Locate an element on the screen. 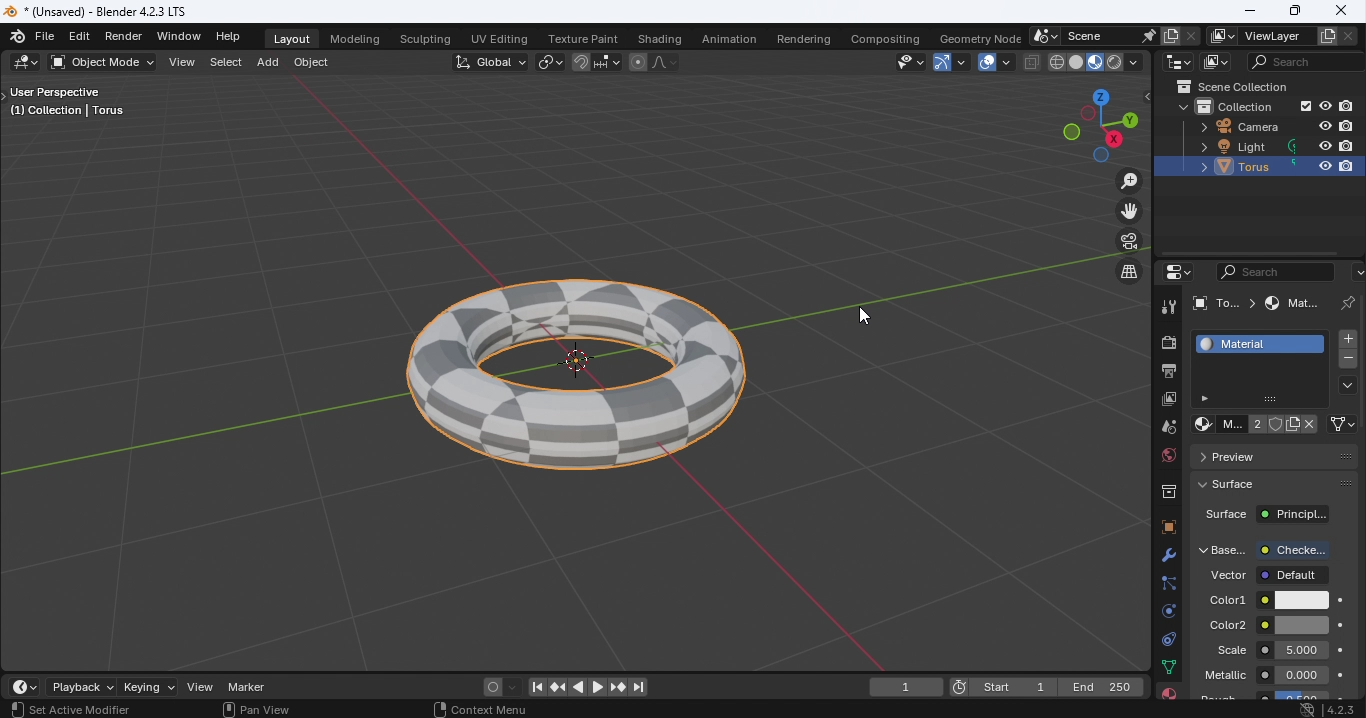 This screenshot has width=1366, height=718. View is located at coordinates (184, 62).